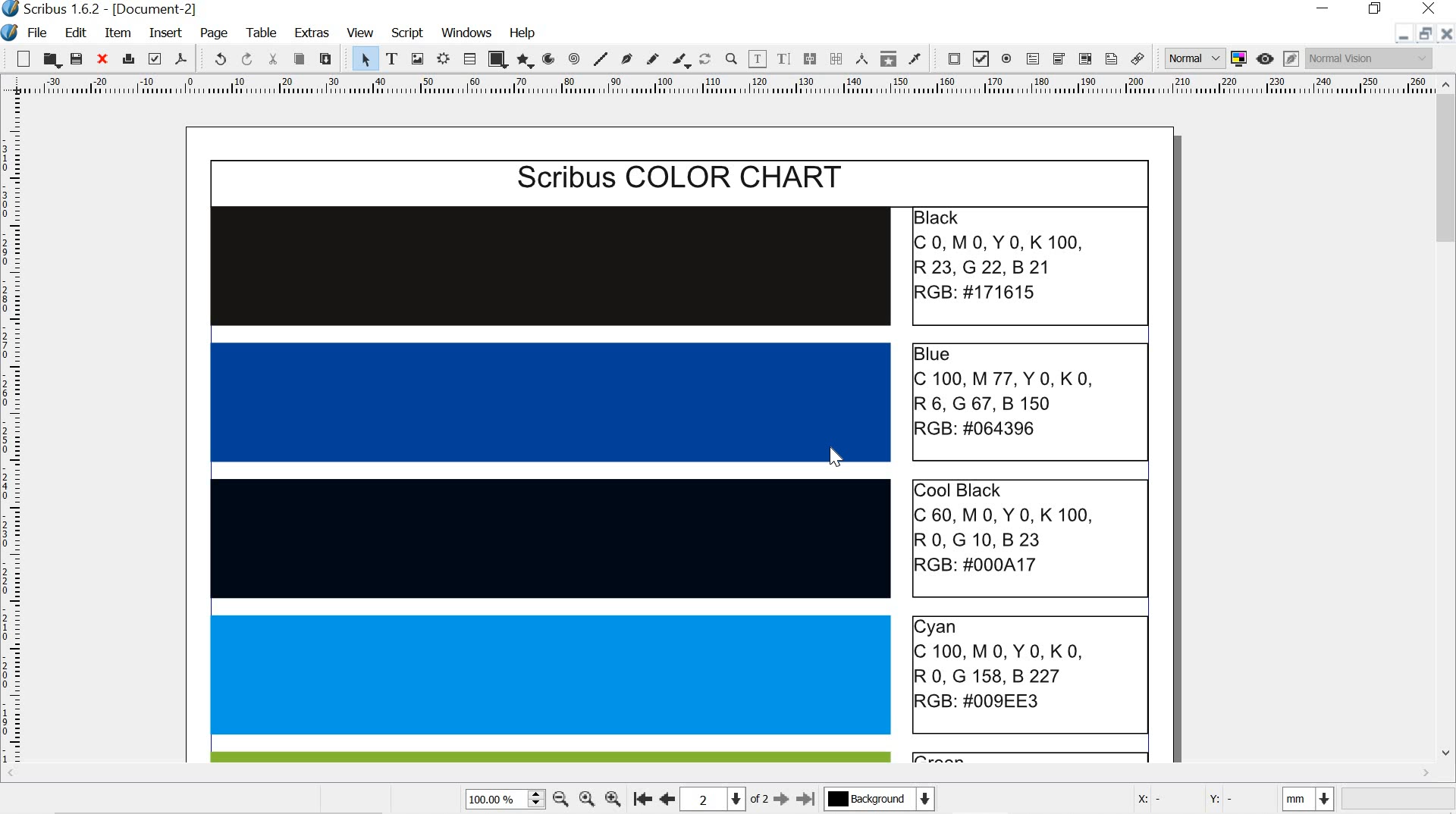  What do you see at coordinates (1083, 59) in the screenshot?
I see `pdf list box` at bounding box center [1083, 59].